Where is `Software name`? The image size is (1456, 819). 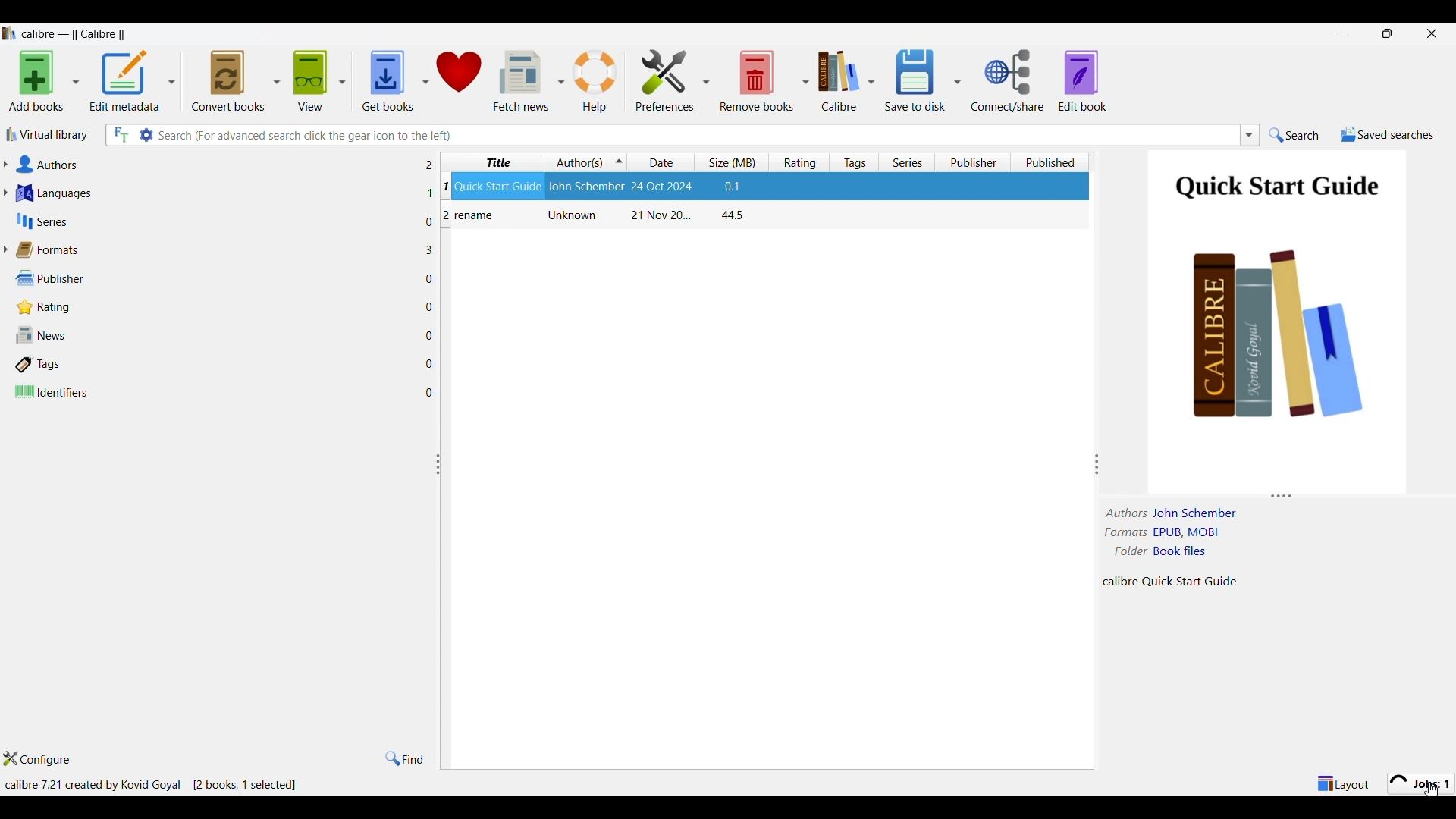 Software name is located at coordinates (78, 34).